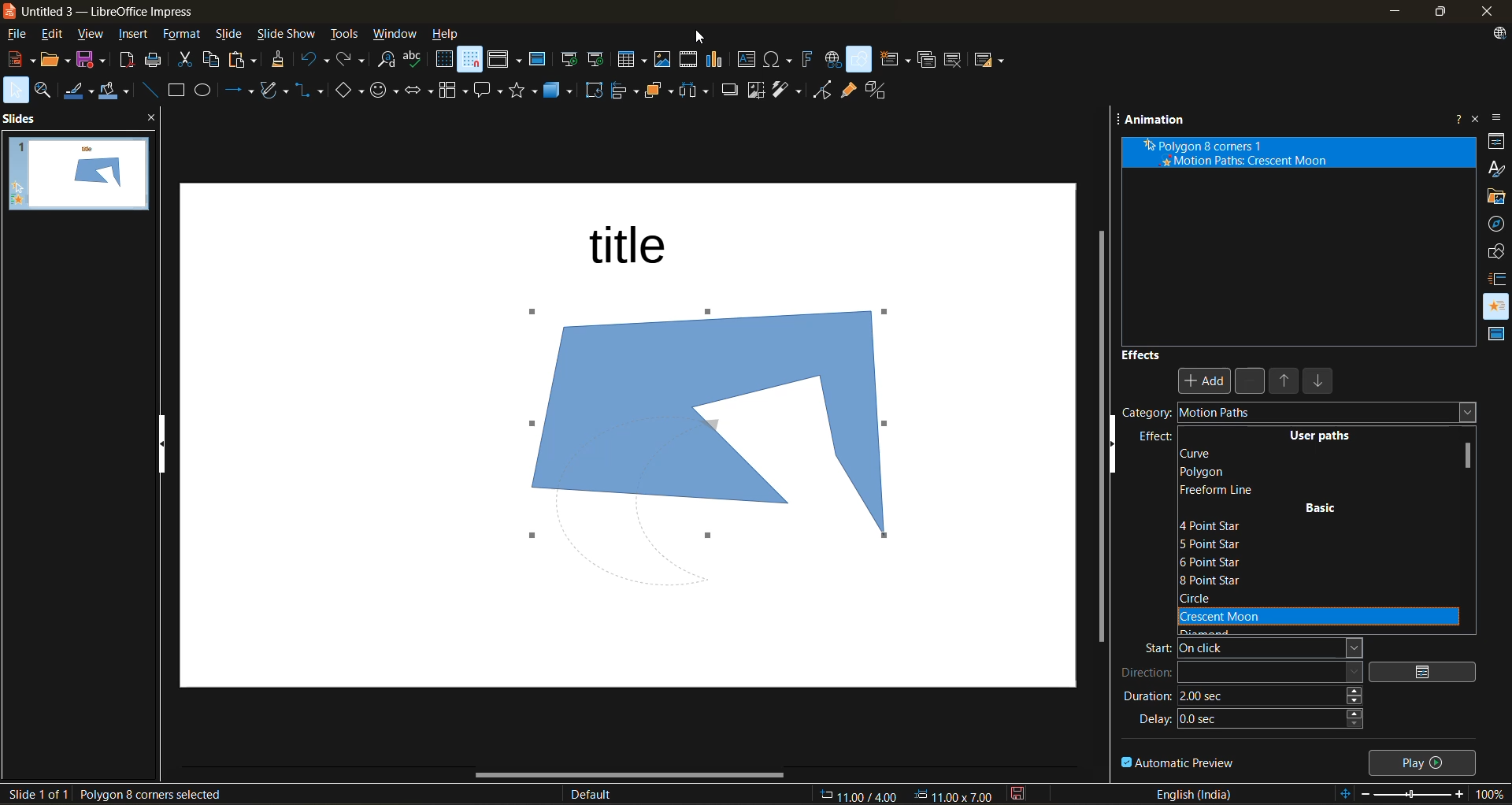  Describe the element at coordinates (1155, 121) in the screenshot. I see `animation` at that location.